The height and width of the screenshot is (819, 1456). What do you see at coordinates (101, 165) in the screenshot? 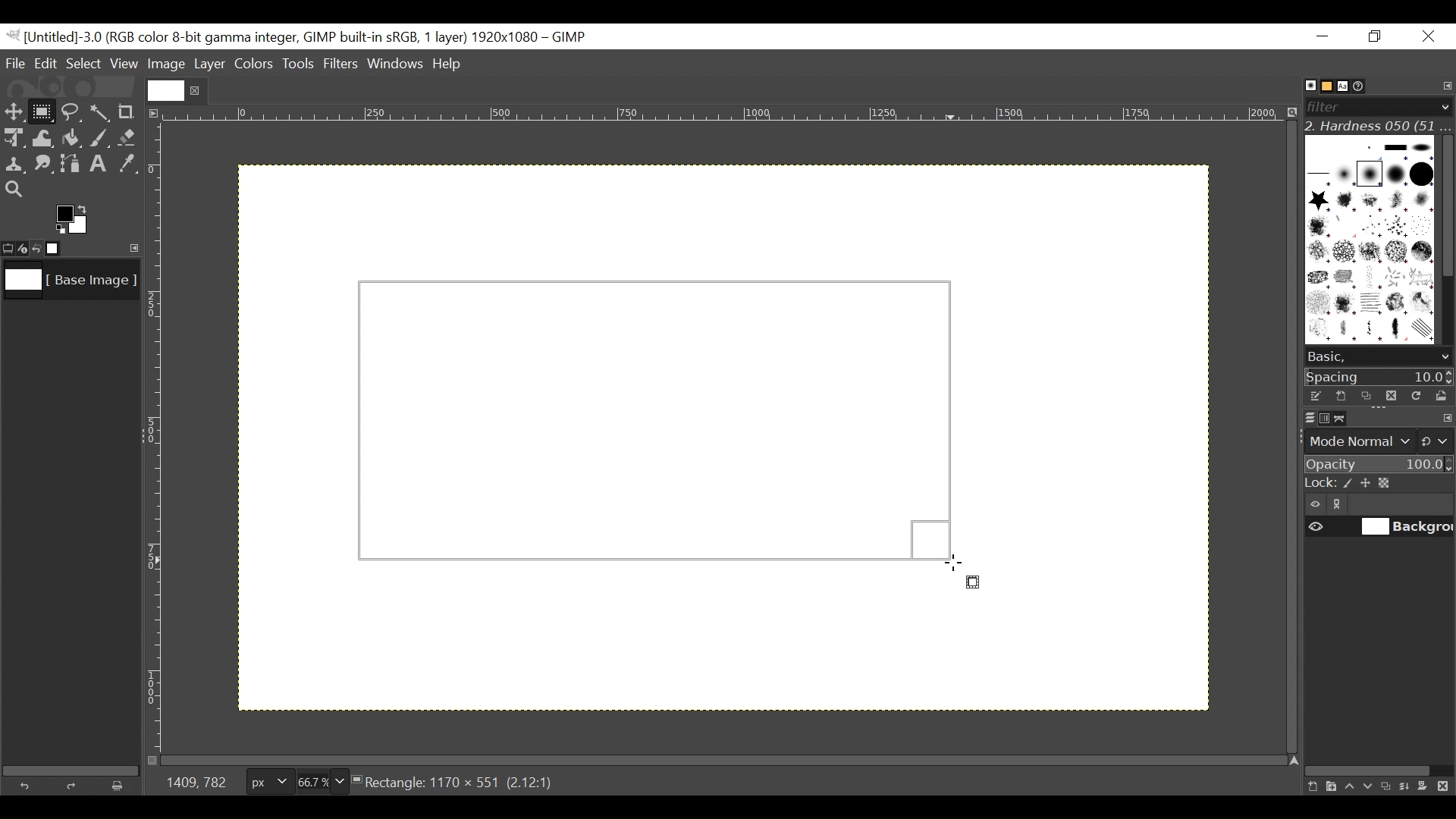
I see `Text tool` at bounding box center [101, 165].